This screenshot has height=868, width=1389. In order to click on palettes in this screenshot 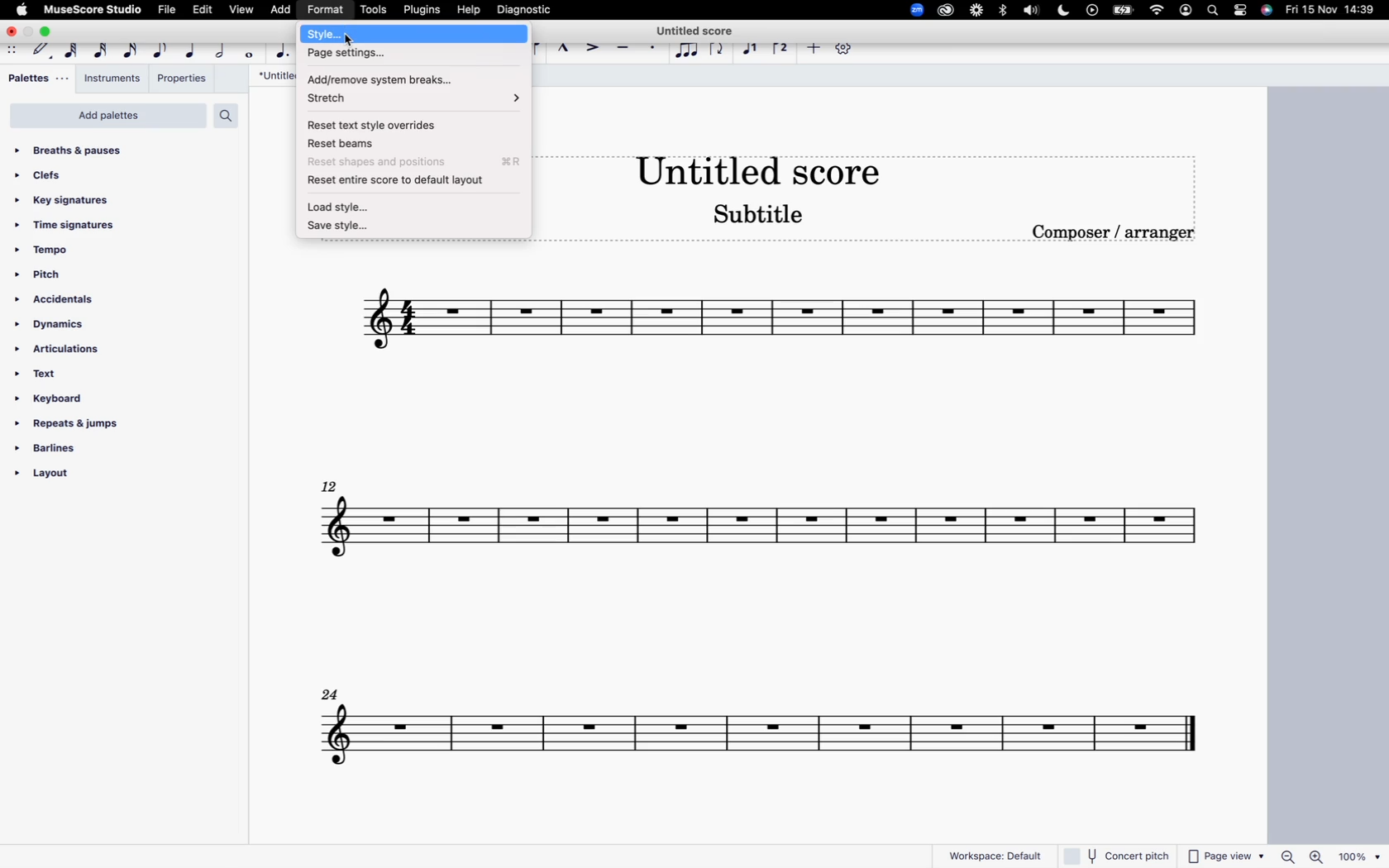, I will do `click(39, 78)`.